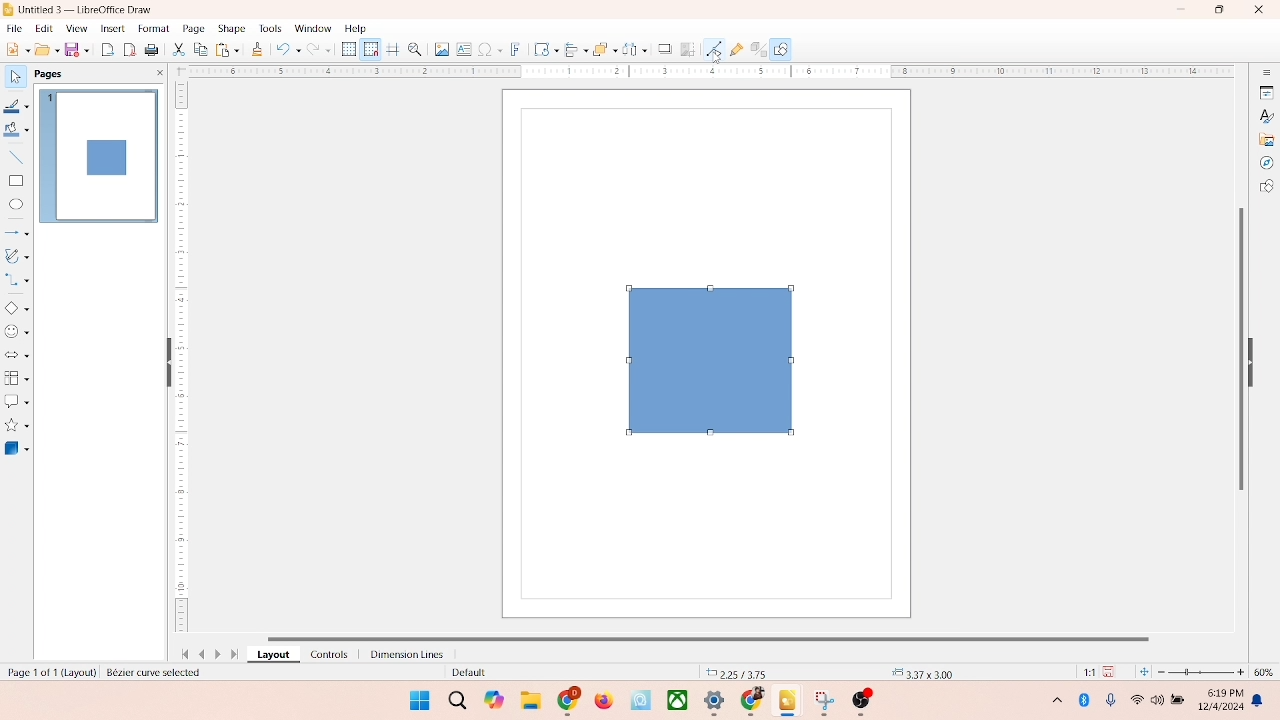  What do you see at coordinates (735, 50) in the screenshot?
I see `gluepoint function` at bounding box center [735, 50].